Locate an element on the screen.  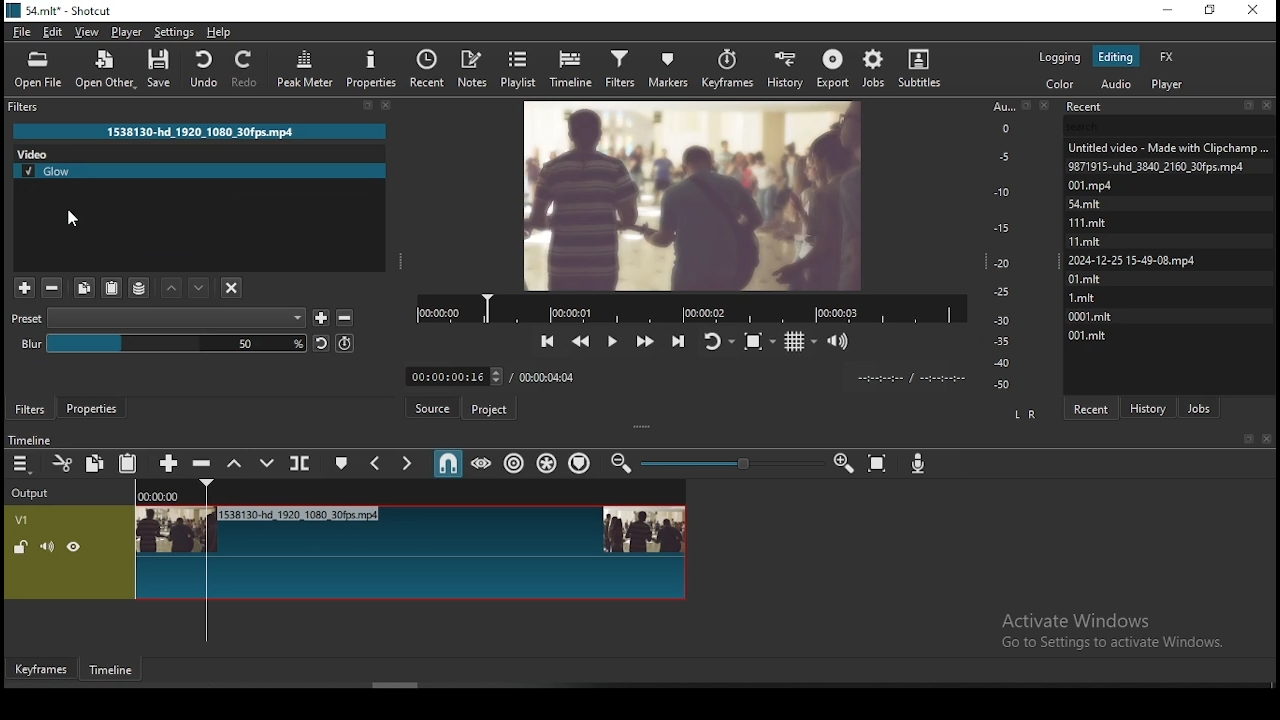
export is located at coordinates (832, 69).